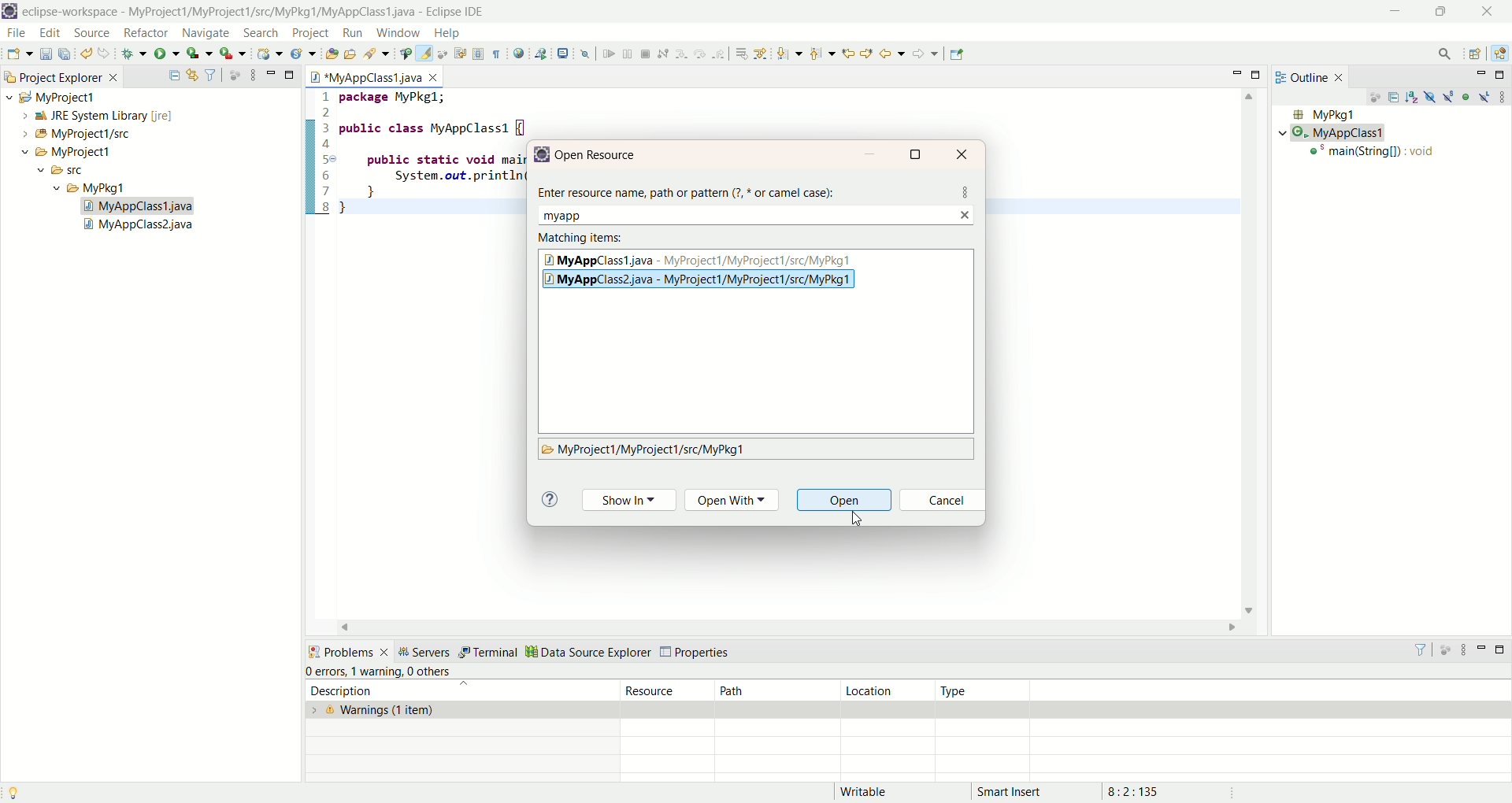 Image resolution: width=1512 pixels, height=803 pixels. What do you see at coordinates (1449, 98) in the screenshot?
I see `hide static fields and methods` at bounding box center [1449, 98].